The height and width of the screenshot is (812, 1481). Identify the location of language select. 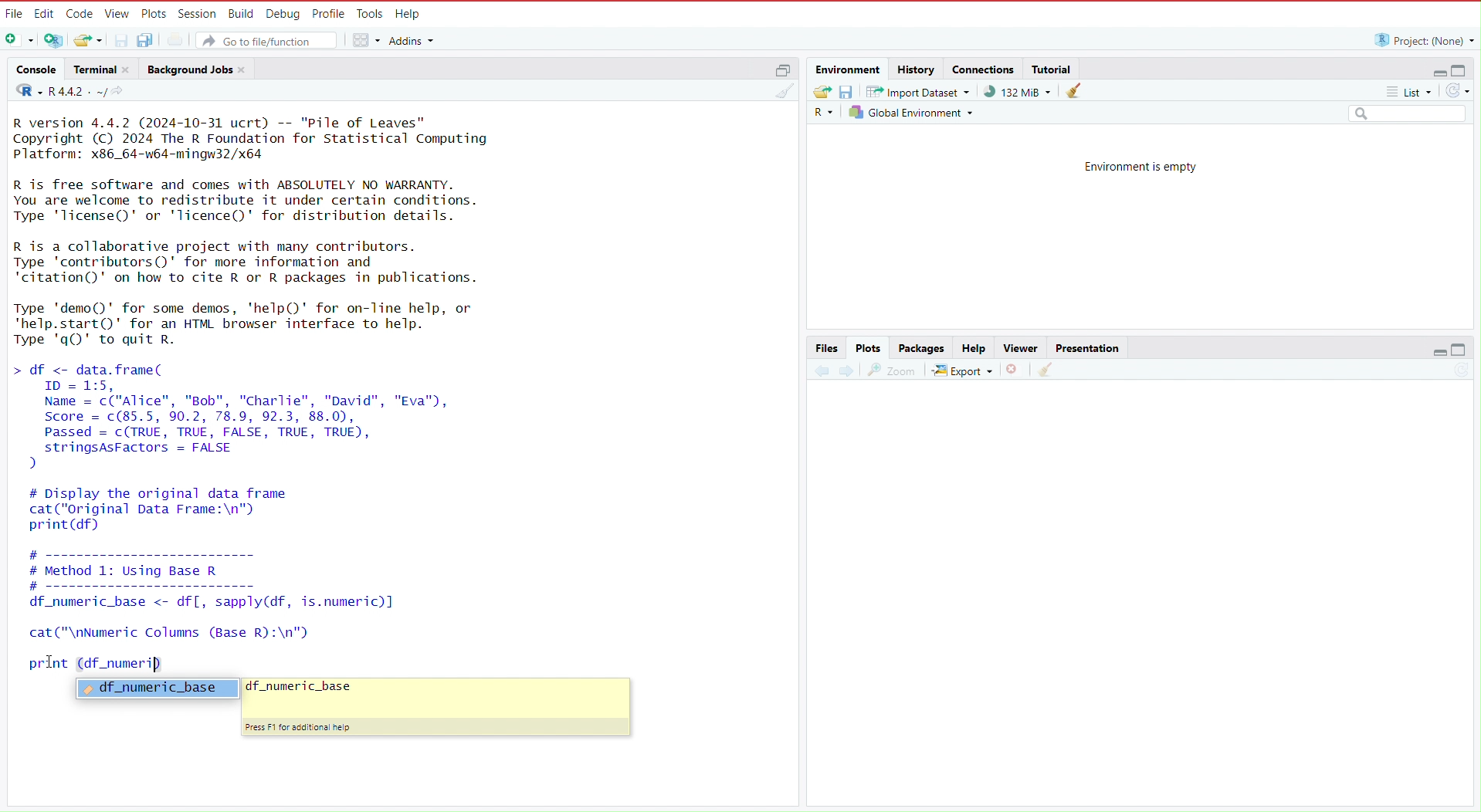
(22, 90).